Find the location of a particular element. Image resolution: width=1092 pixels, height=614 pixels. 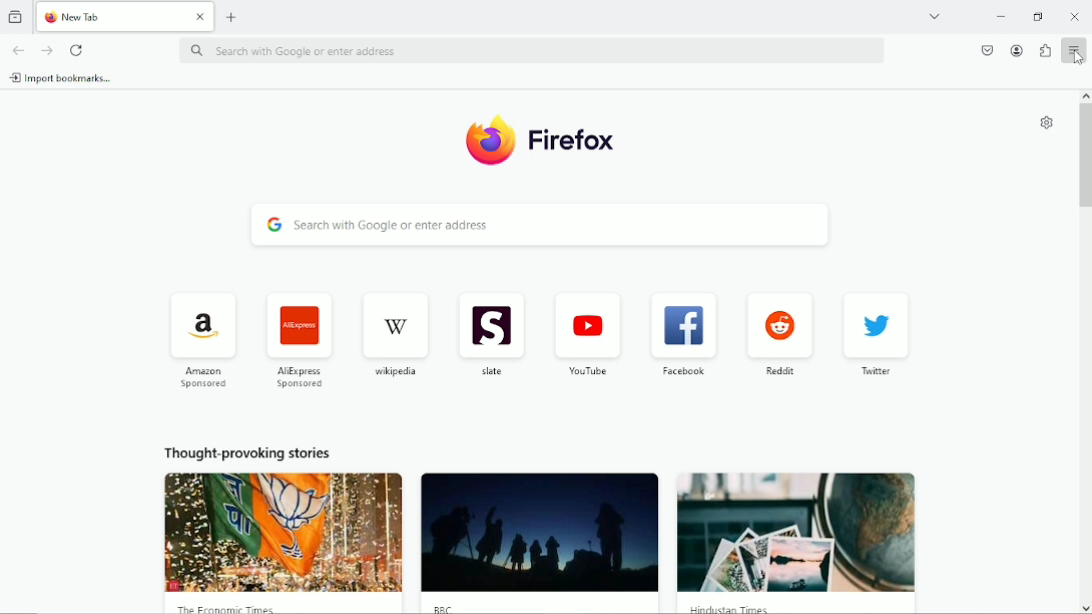

twitter is located at coordinates (875, 369).